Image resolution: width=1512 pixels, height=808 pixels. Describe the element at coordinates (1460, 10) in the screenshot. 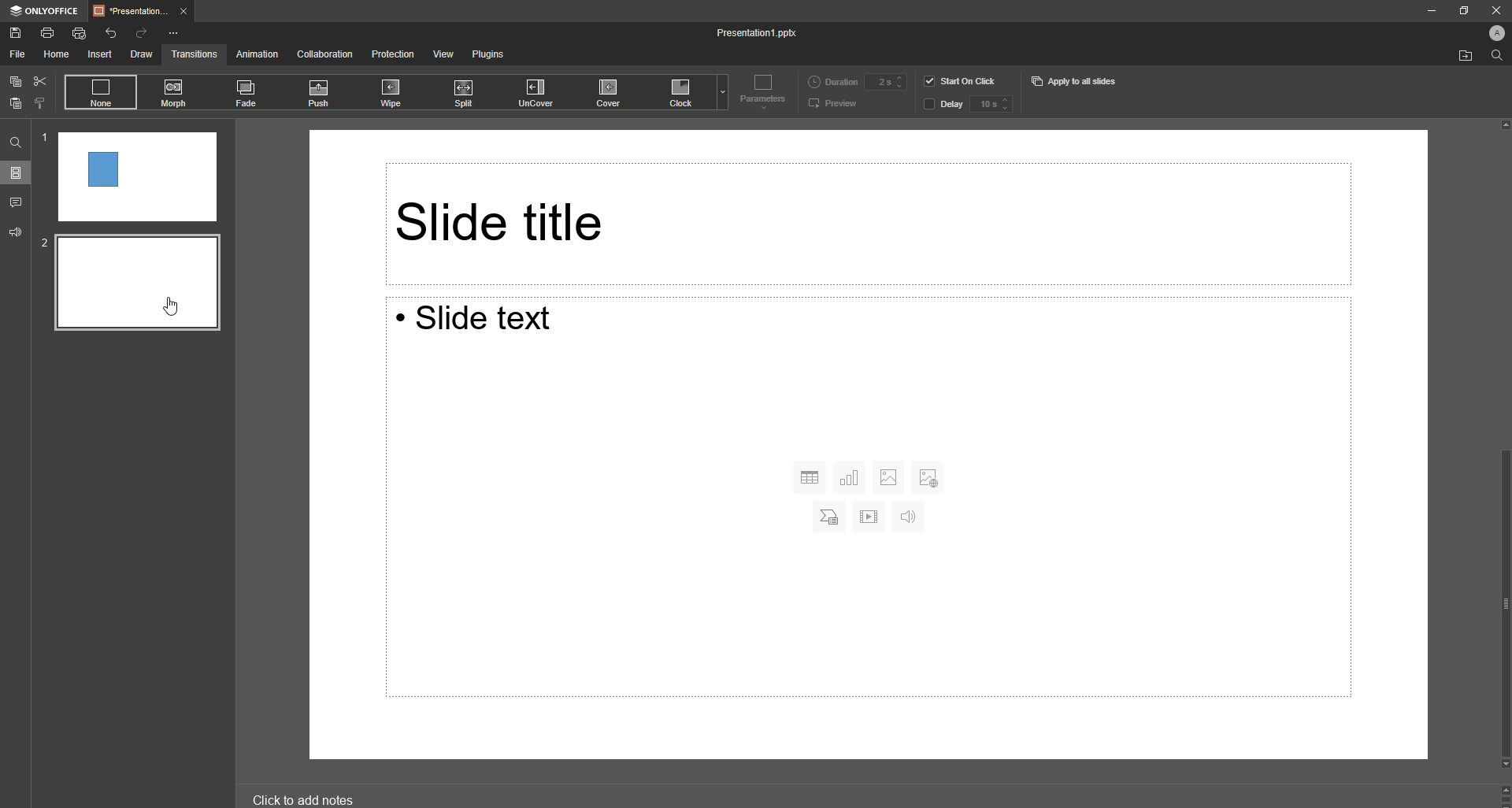

I see `Restore` at that location.